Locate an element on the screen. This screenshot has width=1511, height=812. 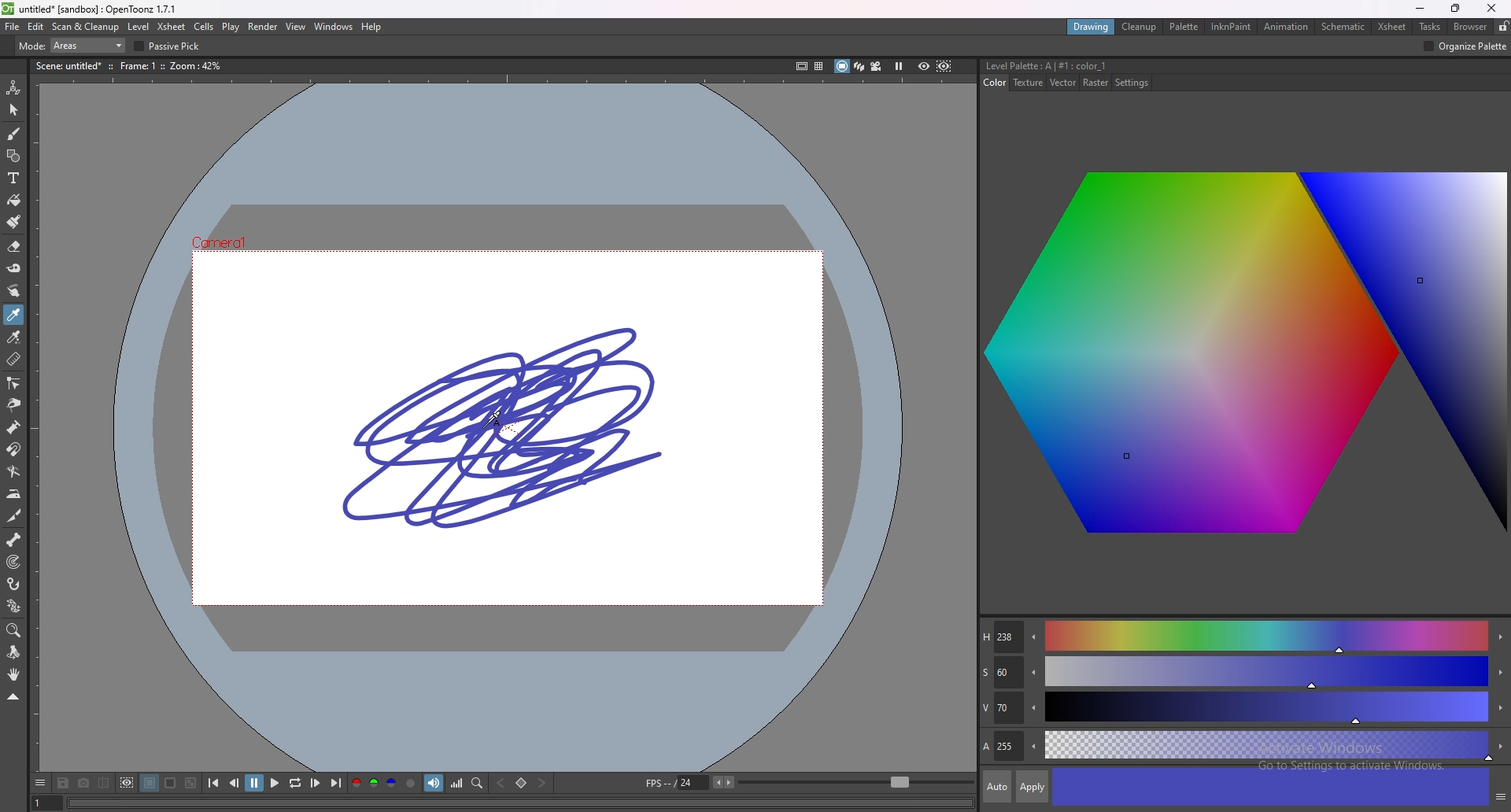
define sub camera is located at coordinates (127, 782).